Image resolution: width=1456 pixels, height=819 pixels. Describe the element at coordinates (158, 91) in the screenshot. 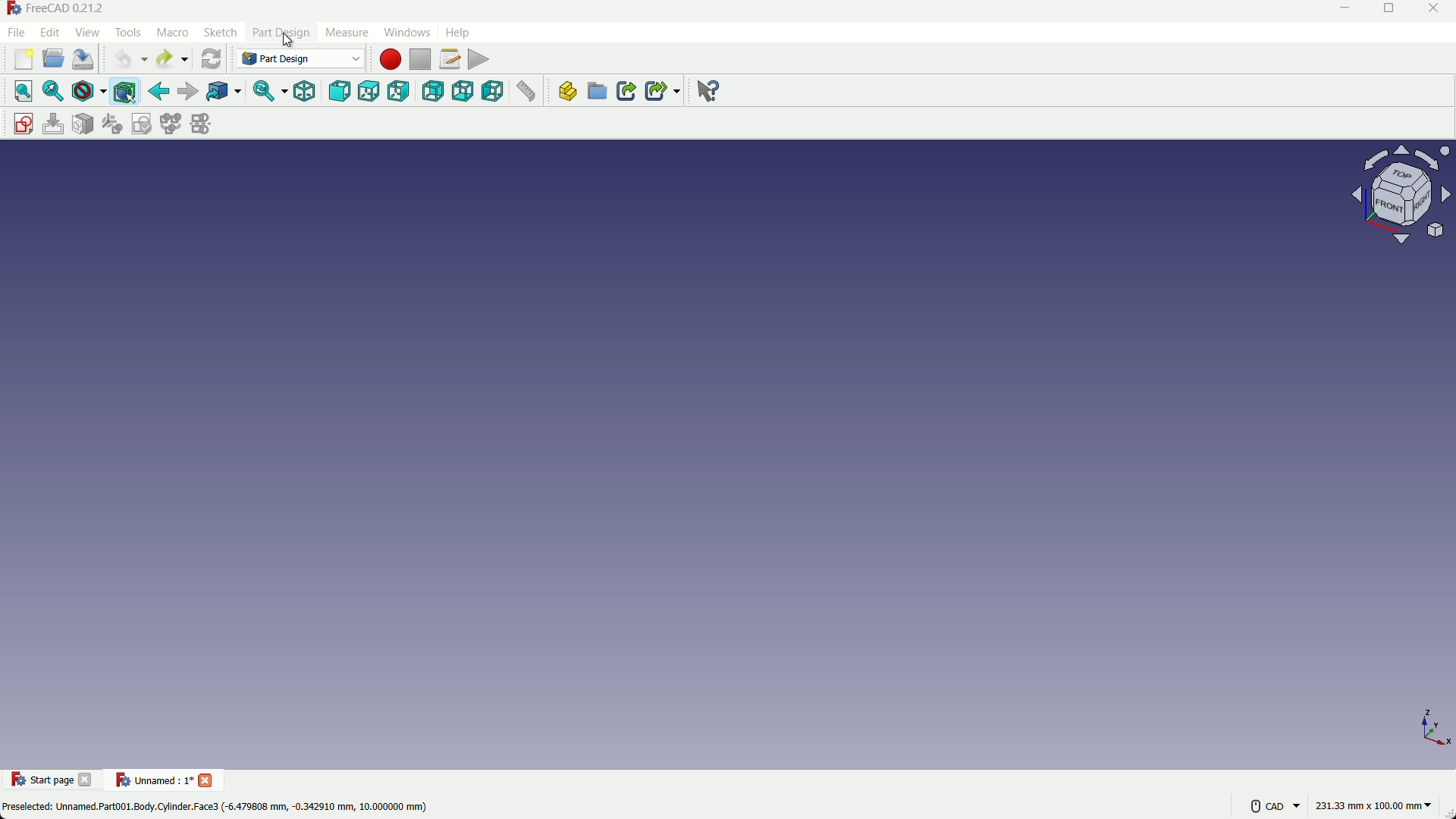

I see `back` at that location.